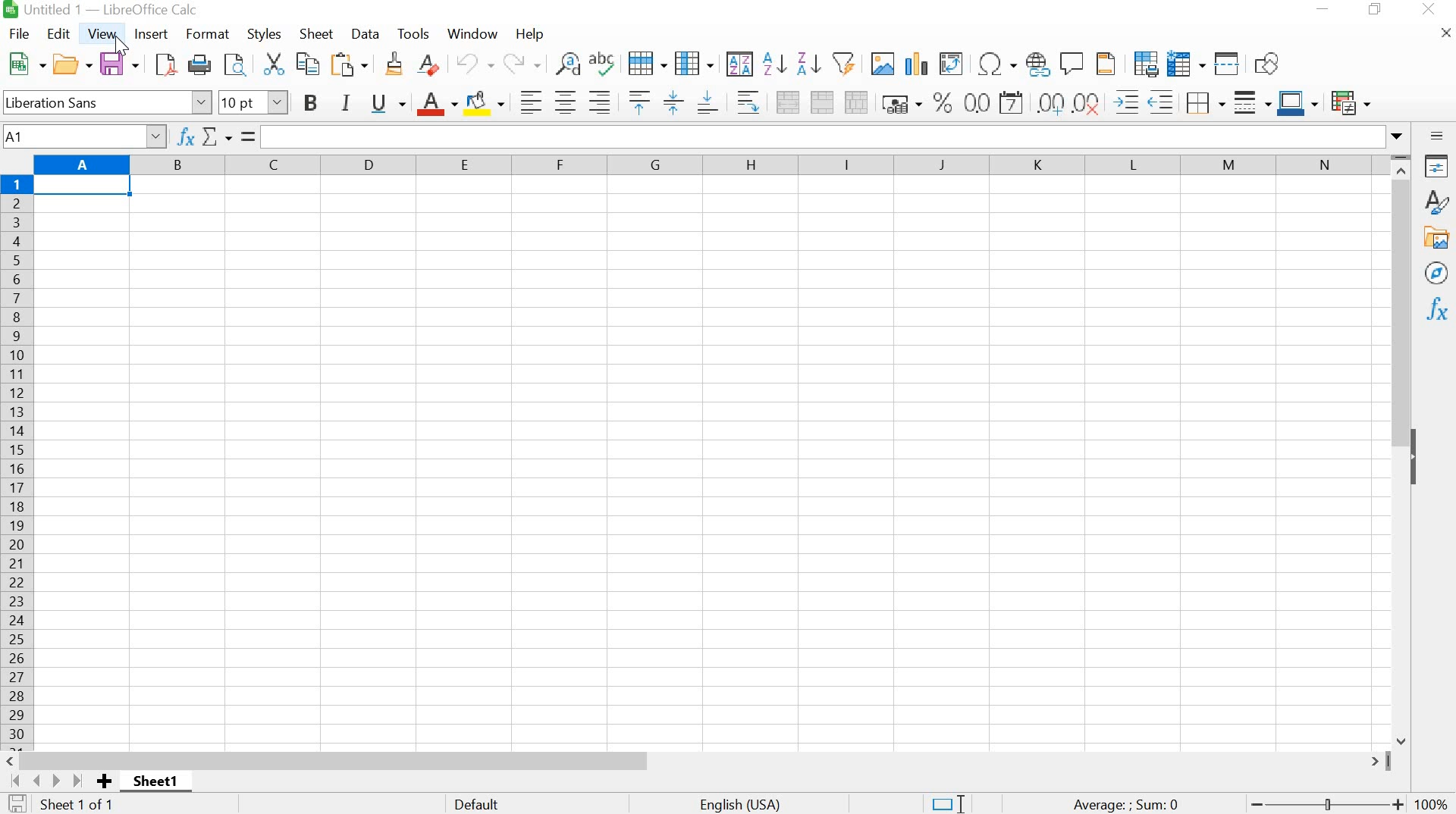 This screenshot has height=814, width=1456. What do you see at coordinates (708, 101) in the screenshot?
I see `ALIGN BOTTOM` at bounding box center [708, 101].